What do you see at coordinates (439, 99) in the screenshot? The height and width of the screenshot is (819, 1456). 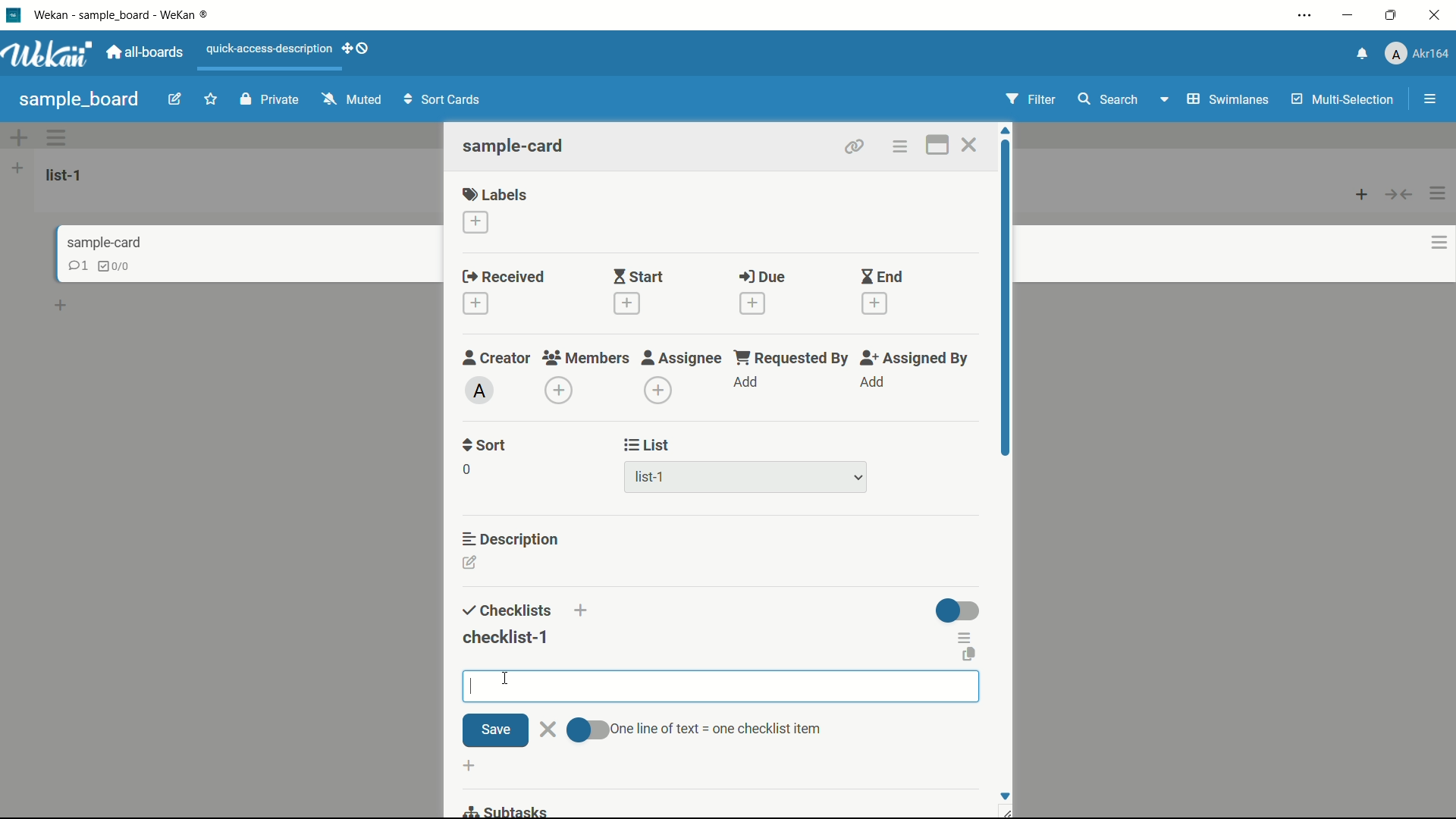 I see `Sort Cards` at bounding box center [439, 99].